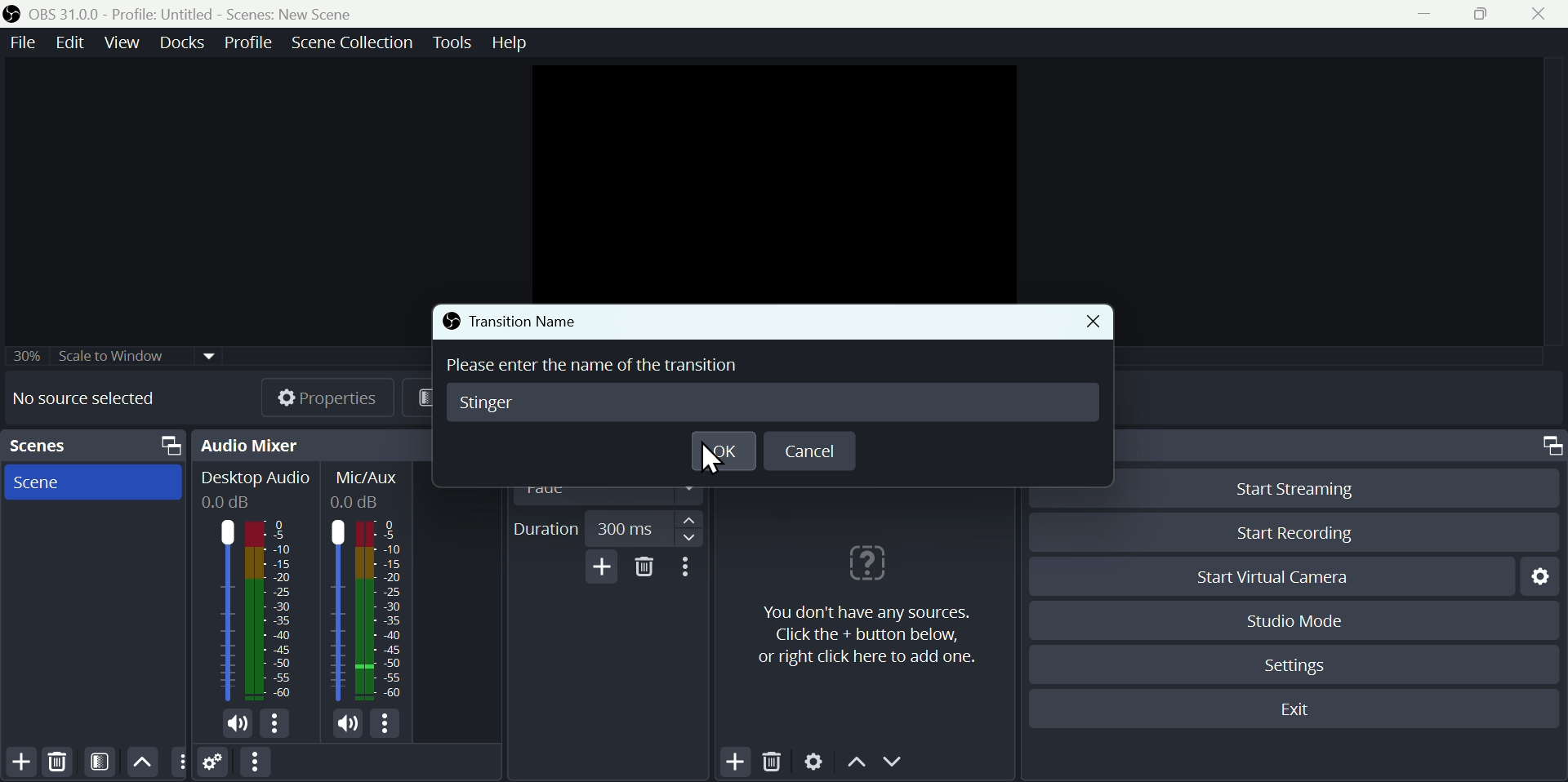 The height and width of the screenshot is (782, 1568). I want to click on Start virtual camera, so click(1269, 576).